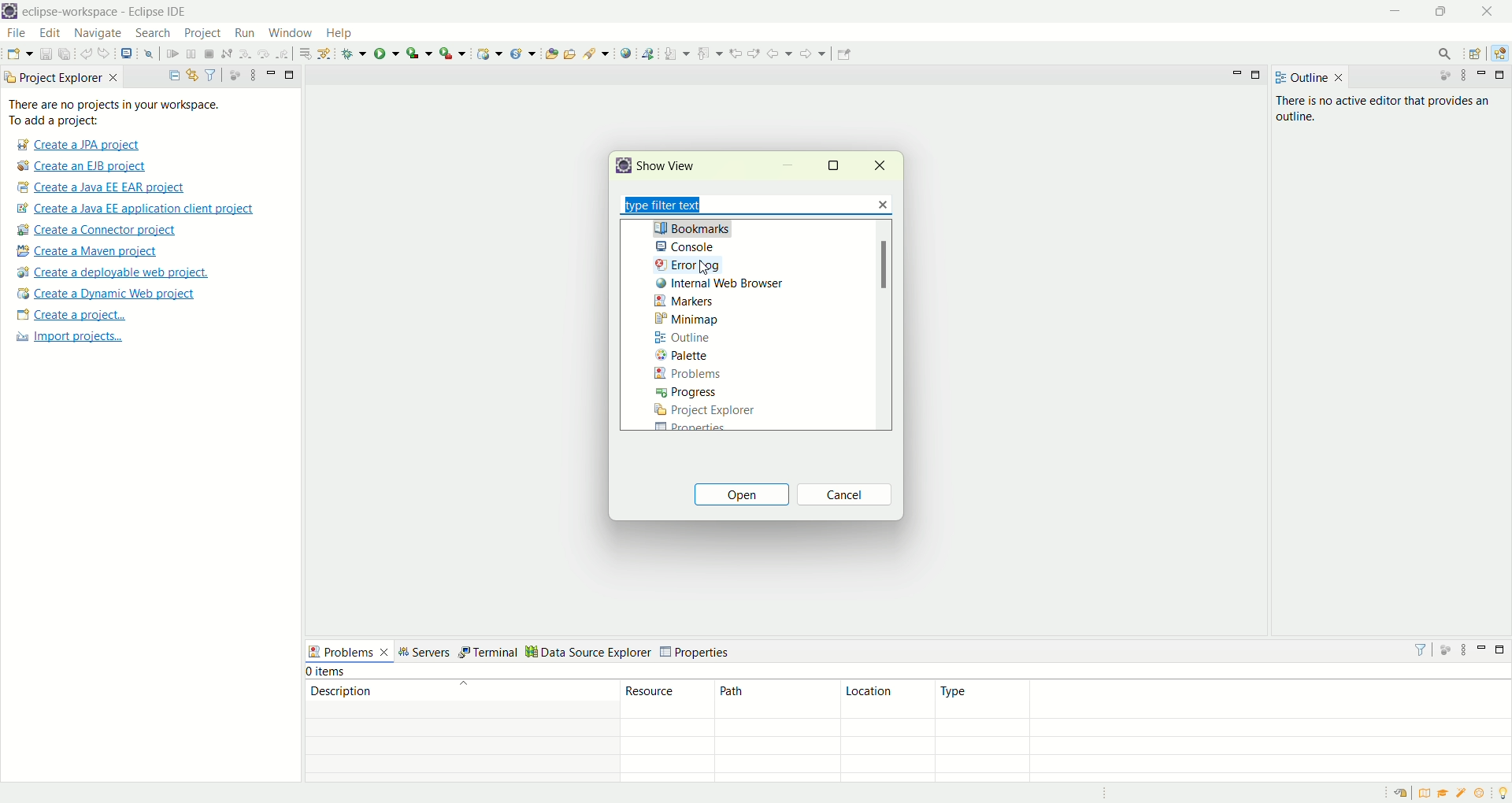 This screenshot has height=803, width=1512. What do you see at coordinates (884, 205) in the screenshot?
I see `close` at bounding box center [884, 205].